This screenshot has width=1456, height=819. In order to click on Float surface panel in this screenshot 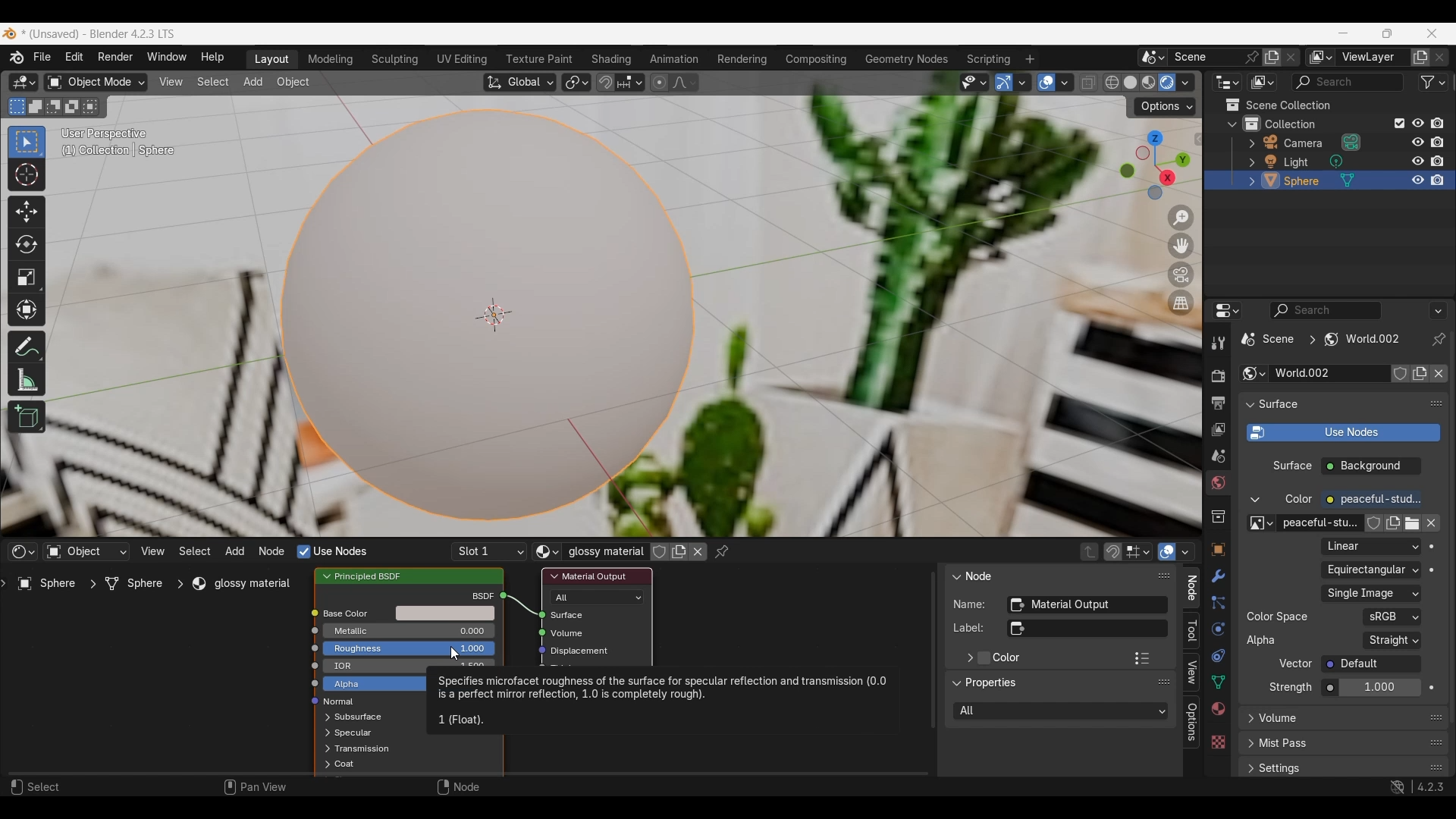, I will do `click(1437, 403)`.